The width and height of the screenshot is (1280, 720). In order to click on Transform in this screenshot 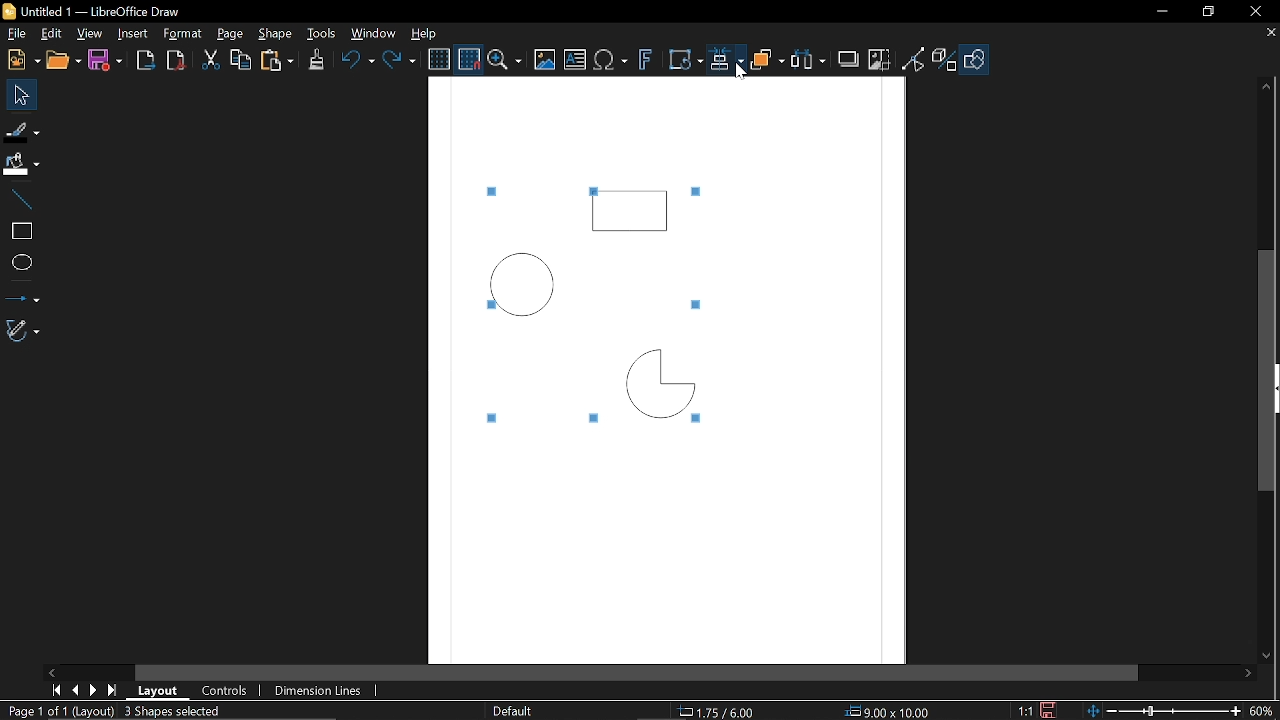, I will do `click(686, 60)`.